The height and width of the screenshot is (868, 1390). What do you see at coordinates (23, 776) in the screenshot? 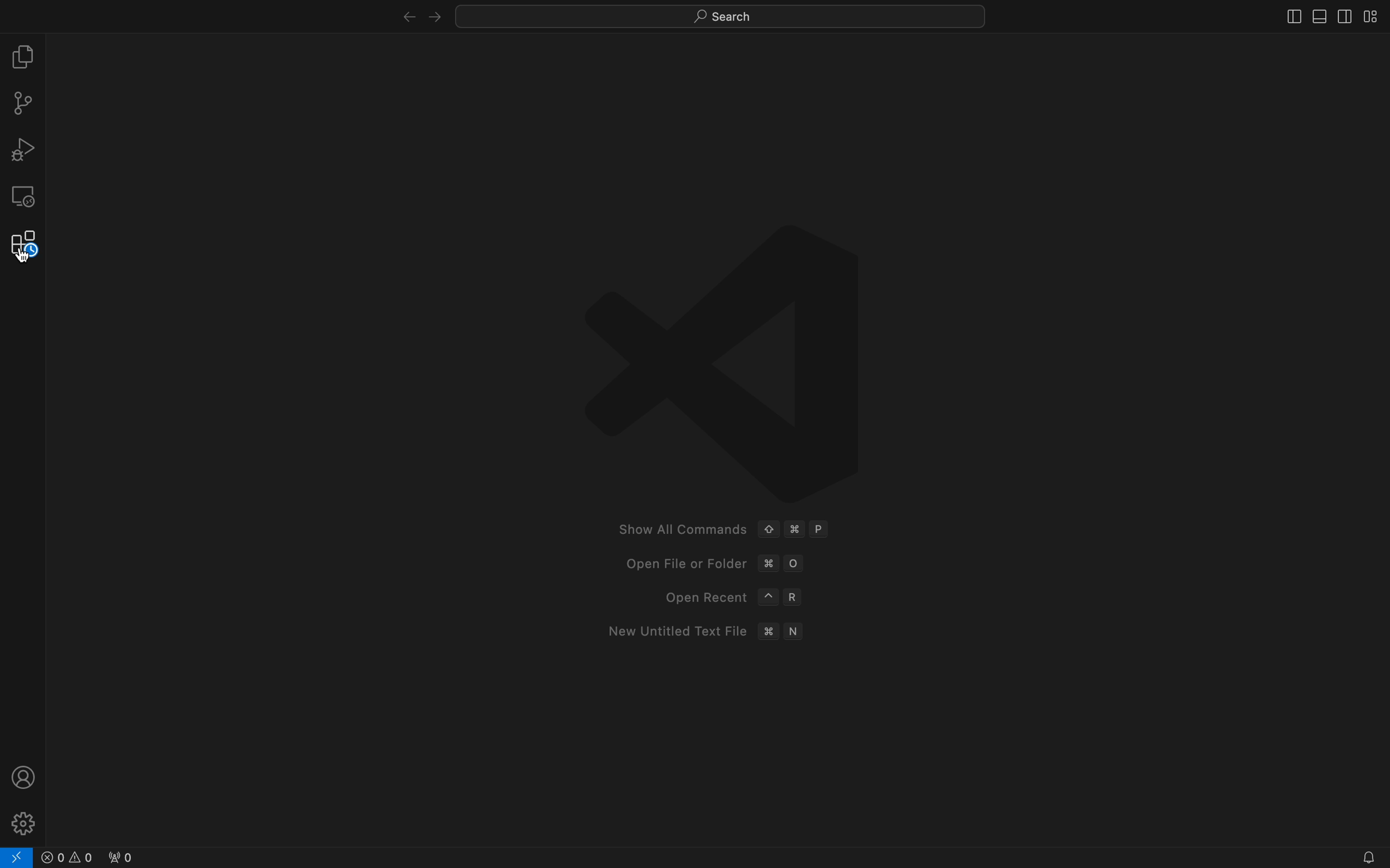
I see `profile` at bounding box center [23, 776].